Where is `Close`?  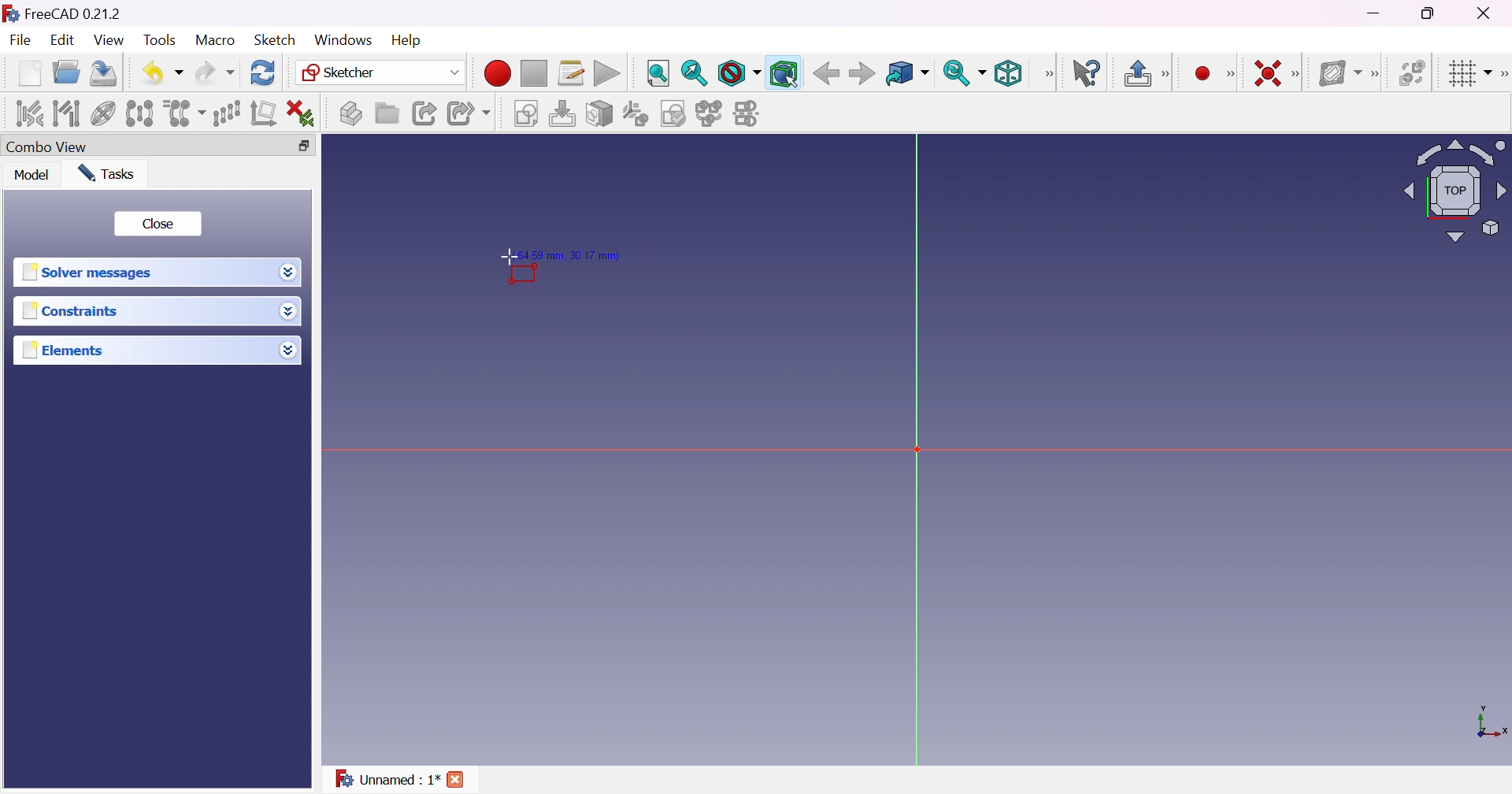
Close is located at coordinates (158, 225).